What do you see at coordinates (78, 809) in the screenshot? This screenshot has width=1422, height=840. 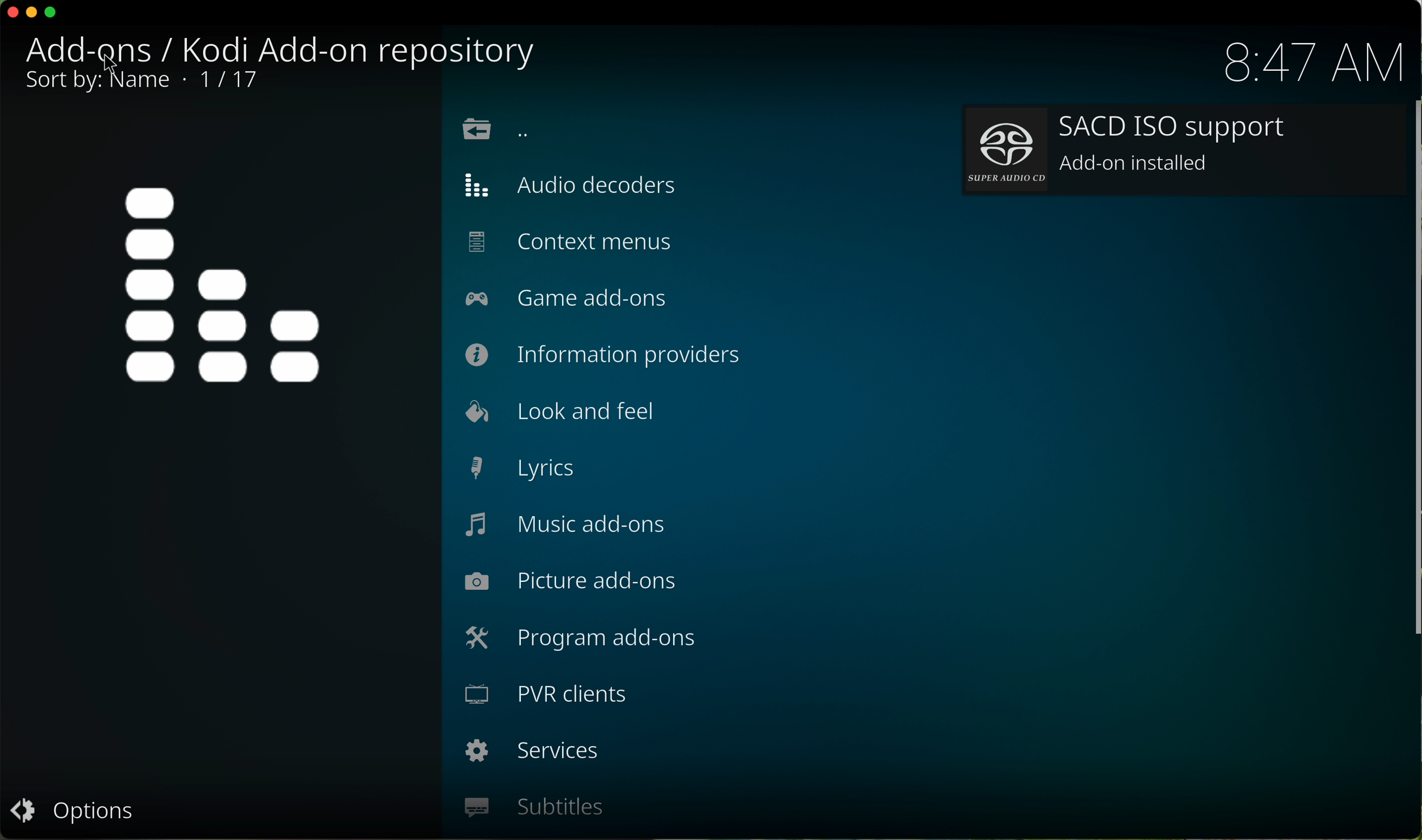 I see `options` at bounding box center [78, 809].